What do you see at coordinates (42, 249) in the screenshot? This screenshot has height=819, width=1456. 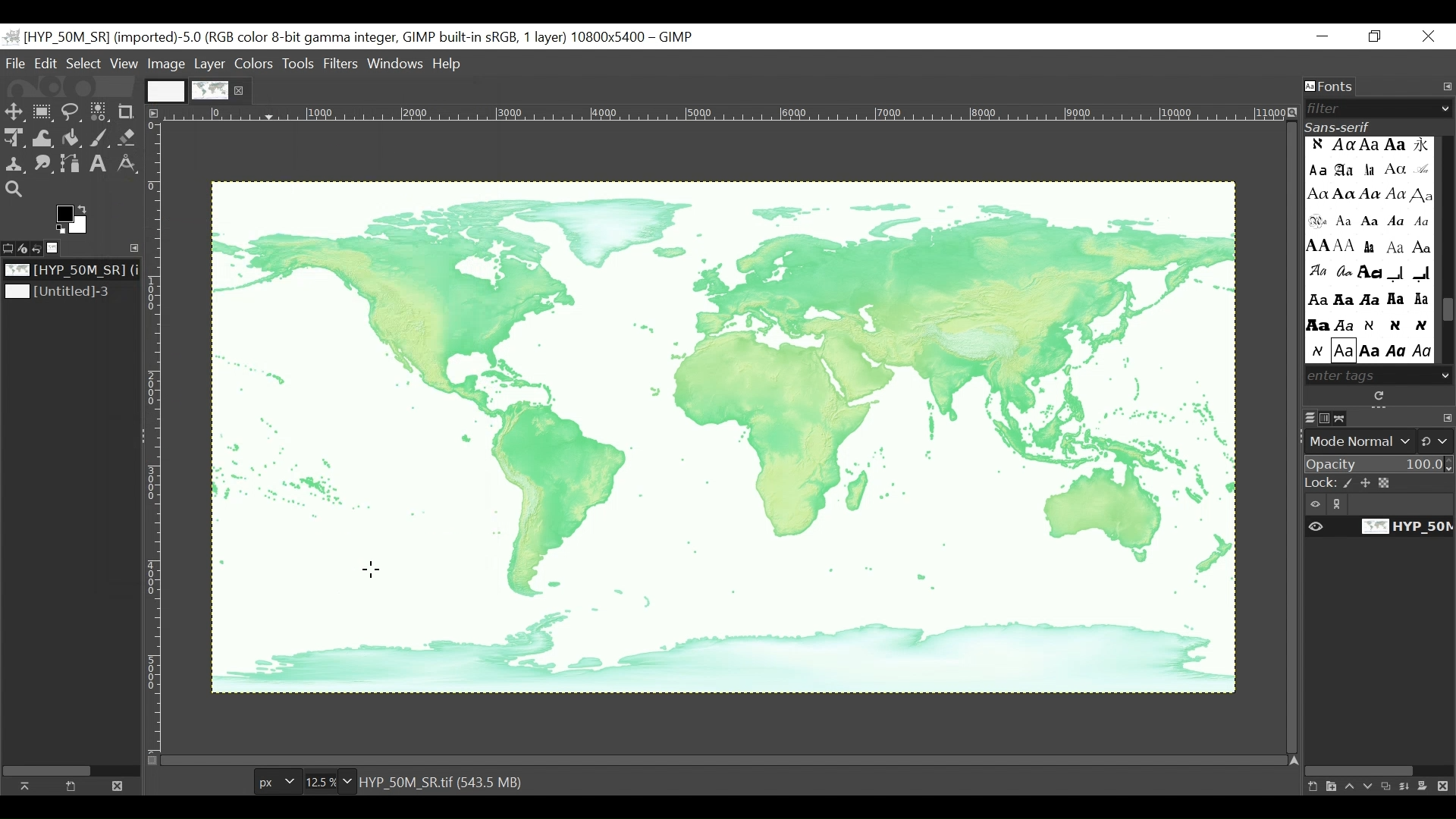 I see `Undo History` at bounding box center [42, 249].